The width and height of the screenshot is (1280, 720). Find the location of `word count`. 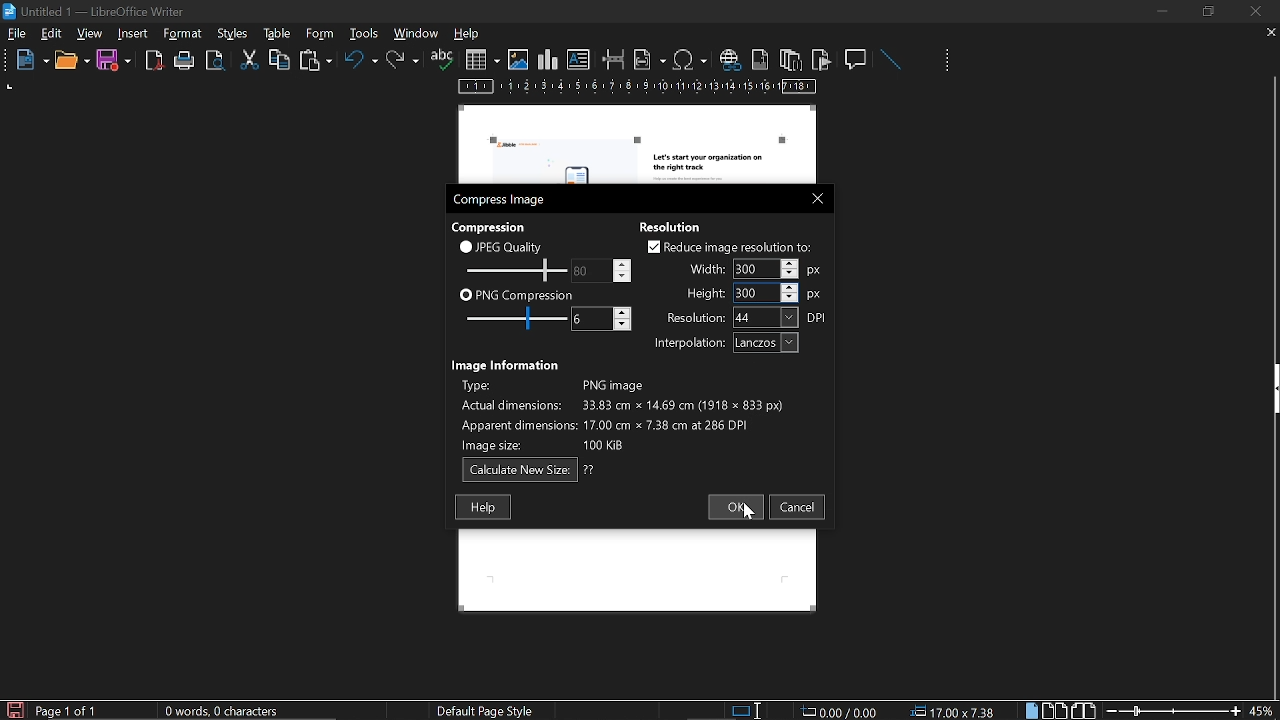

word count is located at coordinates (229, 711).